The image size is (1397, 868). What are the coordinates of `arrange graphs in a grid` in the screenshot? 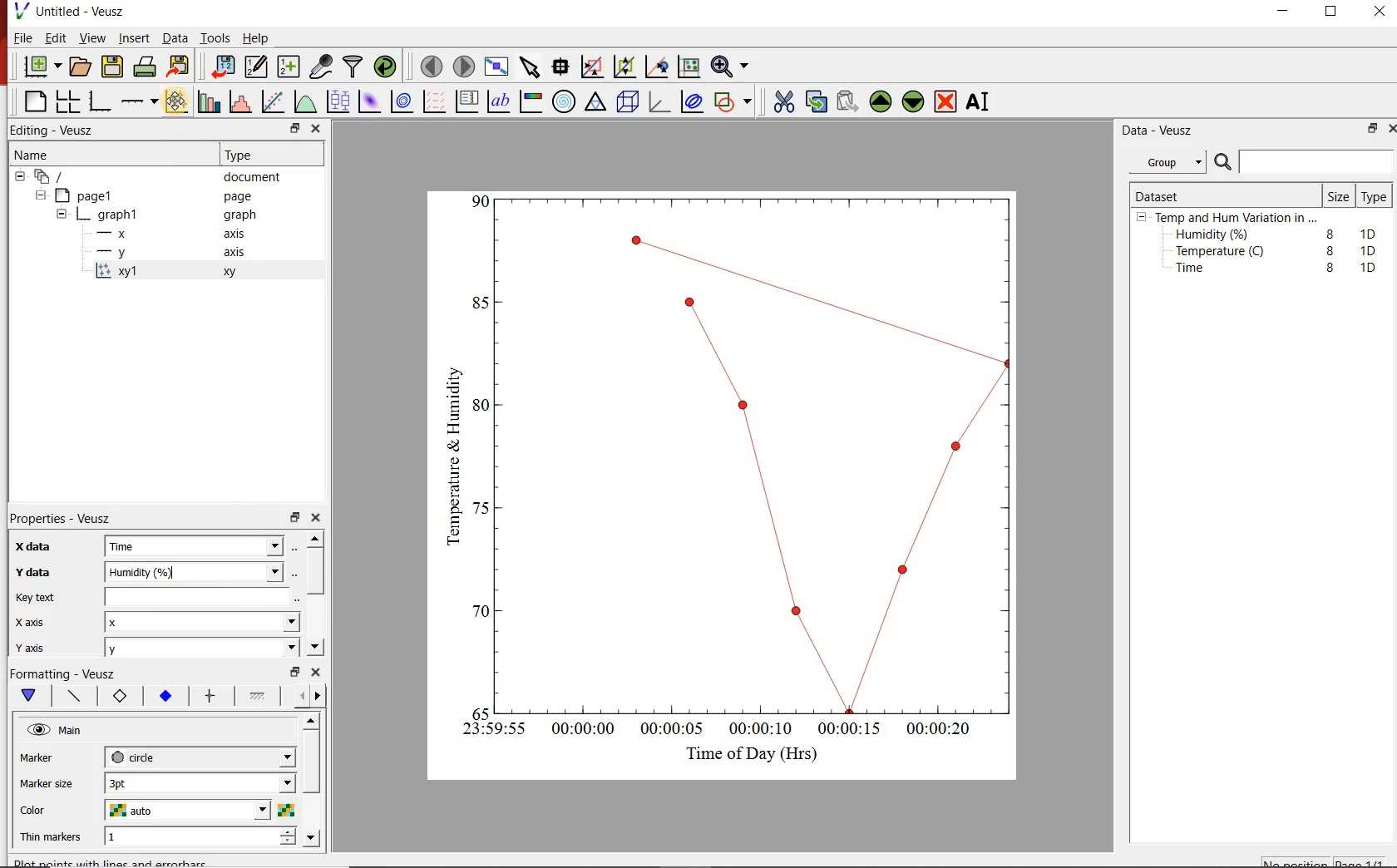 It's located at (70, 99).